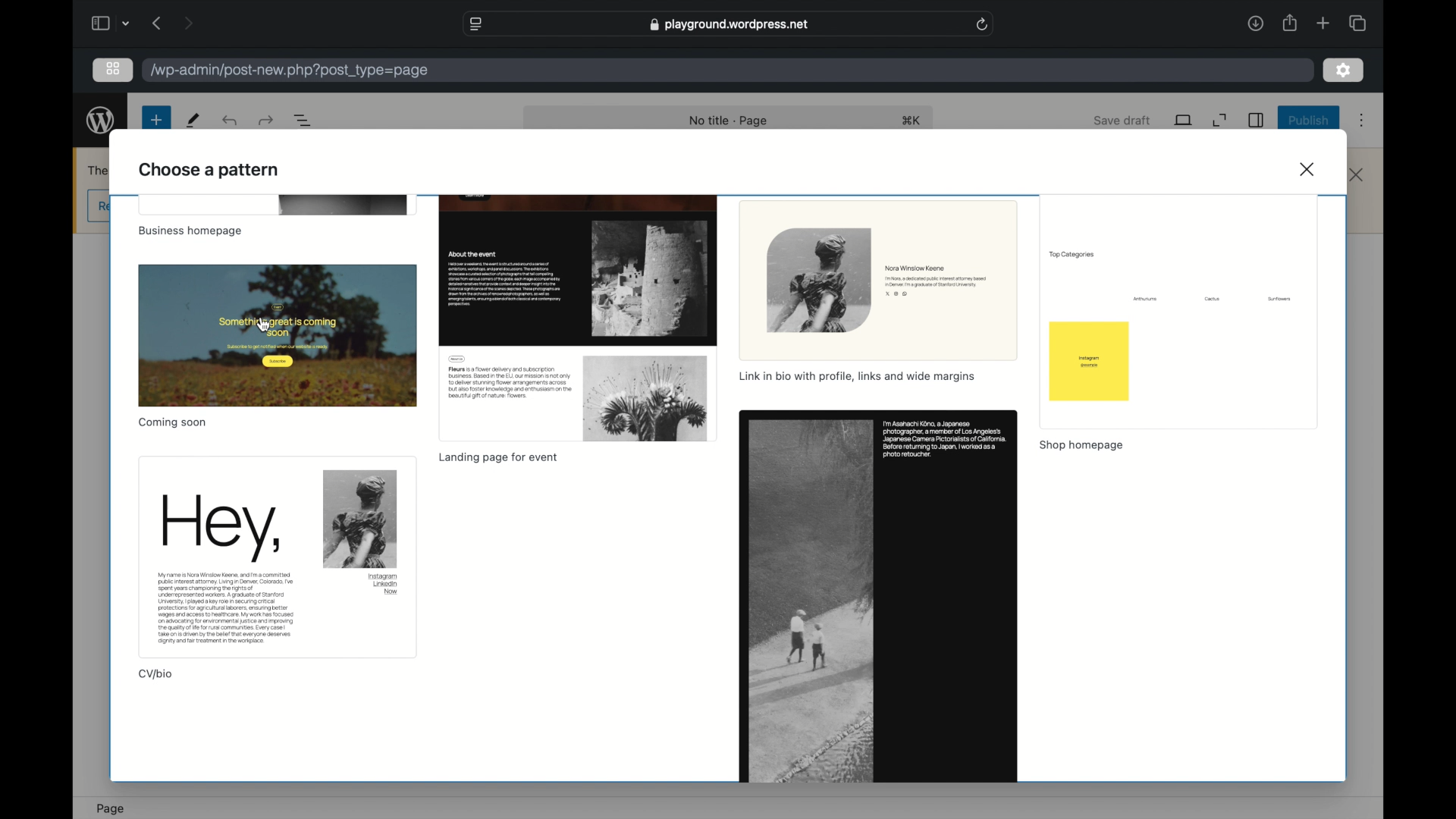 This screenshot has width=1456, height=819. I want to click on obscure text, so click(96, 169).